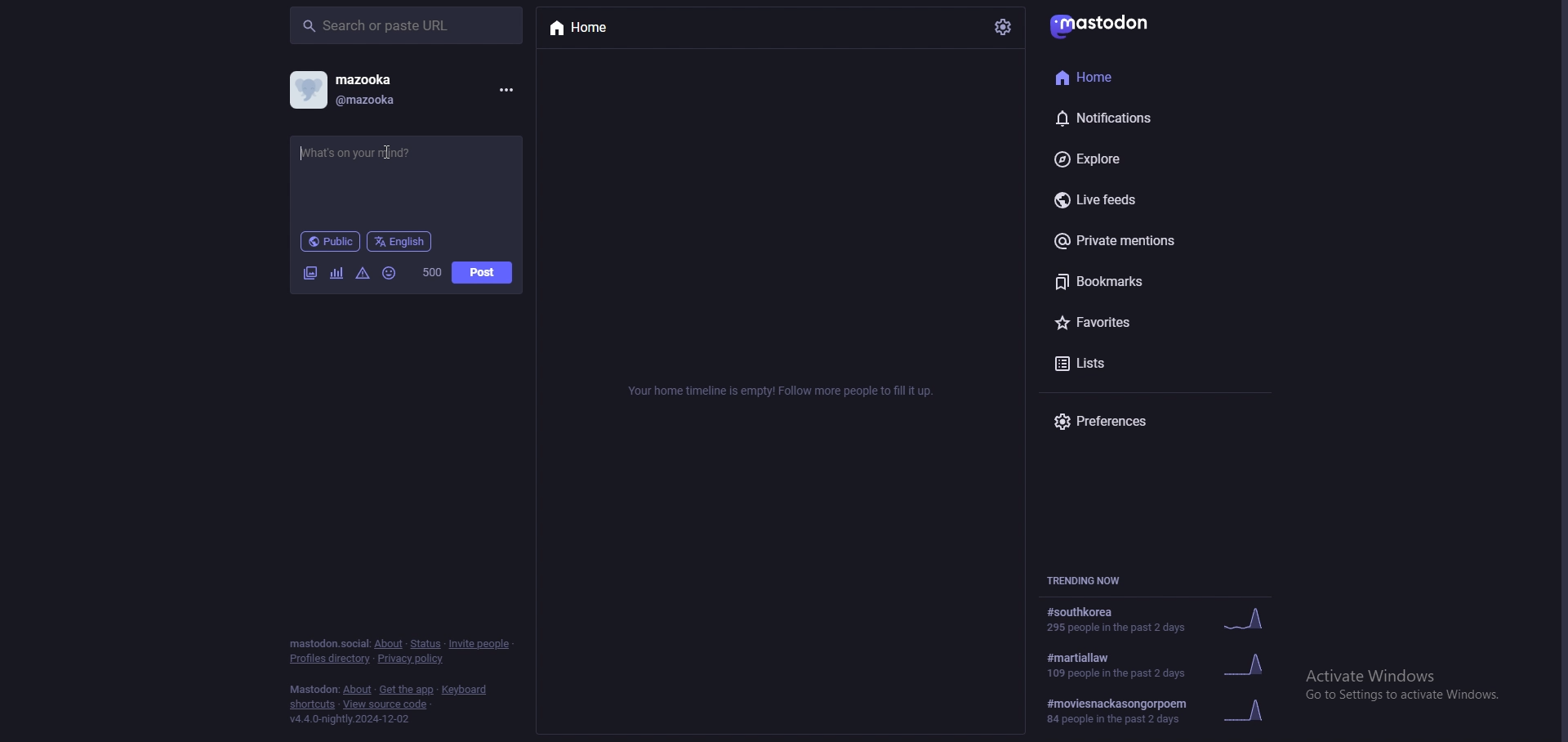 This screenshot has height=742, width=1568. I want to click on home, so click(584, 27).